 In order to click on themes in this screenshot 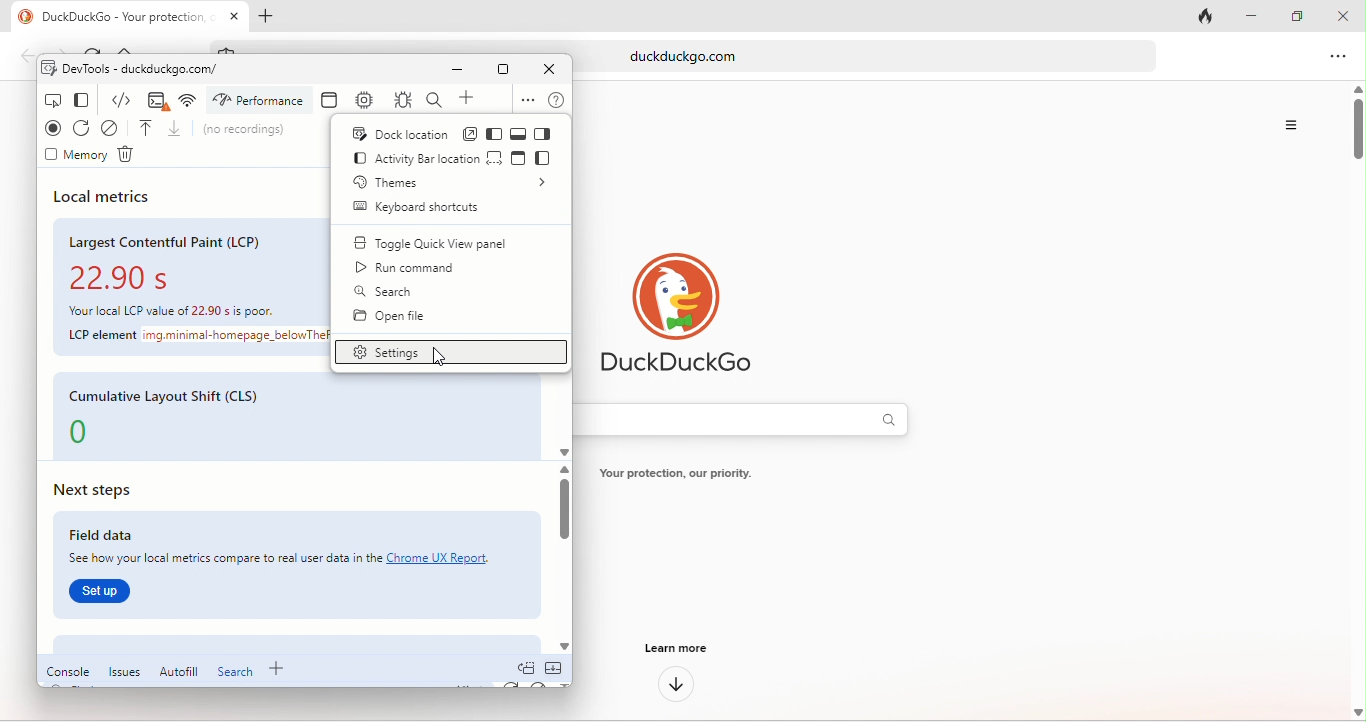, I will do `click(452, 183)`.